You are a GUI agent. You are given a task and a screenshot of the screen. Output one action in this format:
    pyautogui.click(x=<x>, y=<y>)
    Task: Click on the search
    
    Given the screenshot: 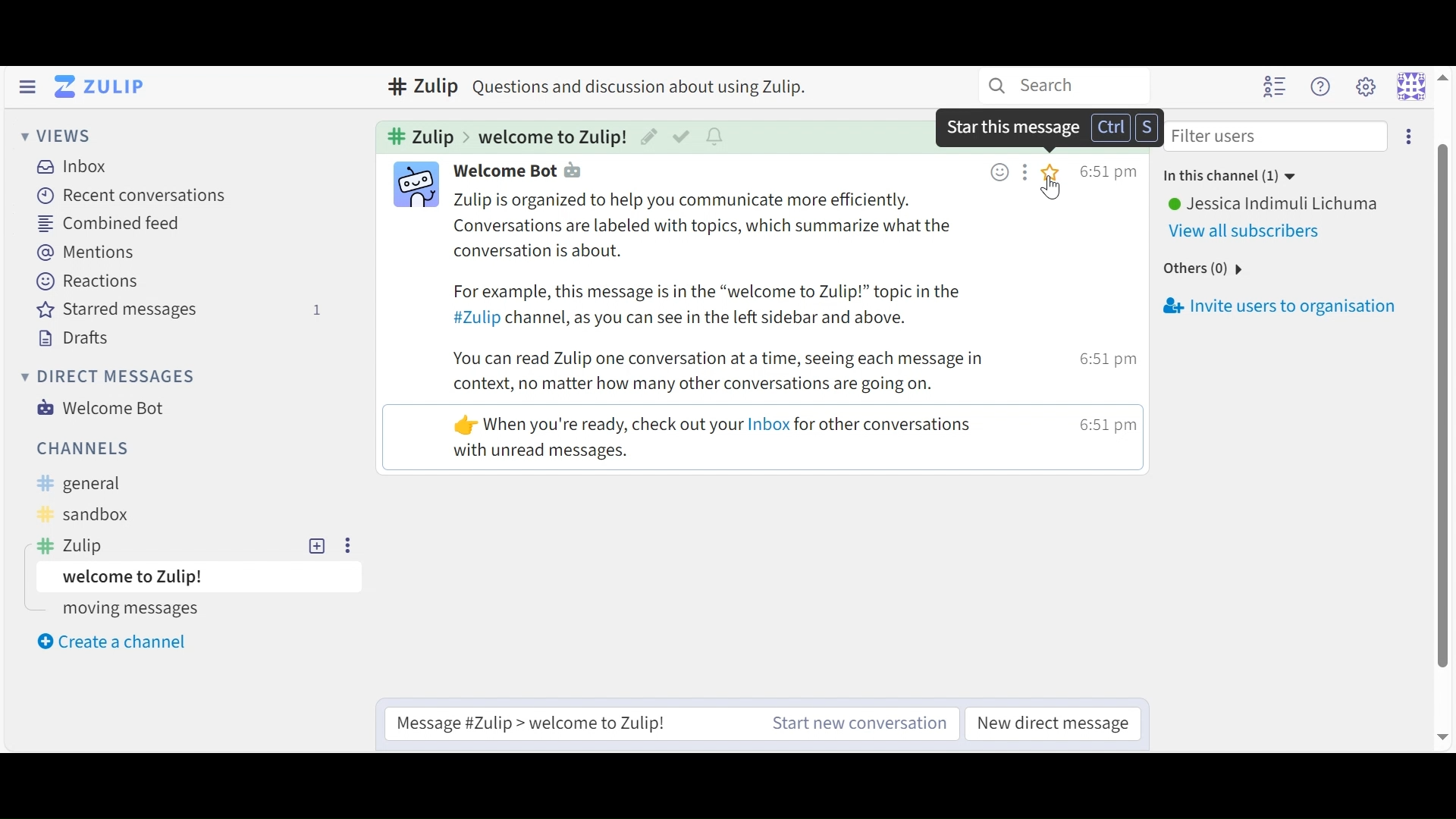 What is the action you would take?
    pyautogui.click(x=1096, y=85)
    